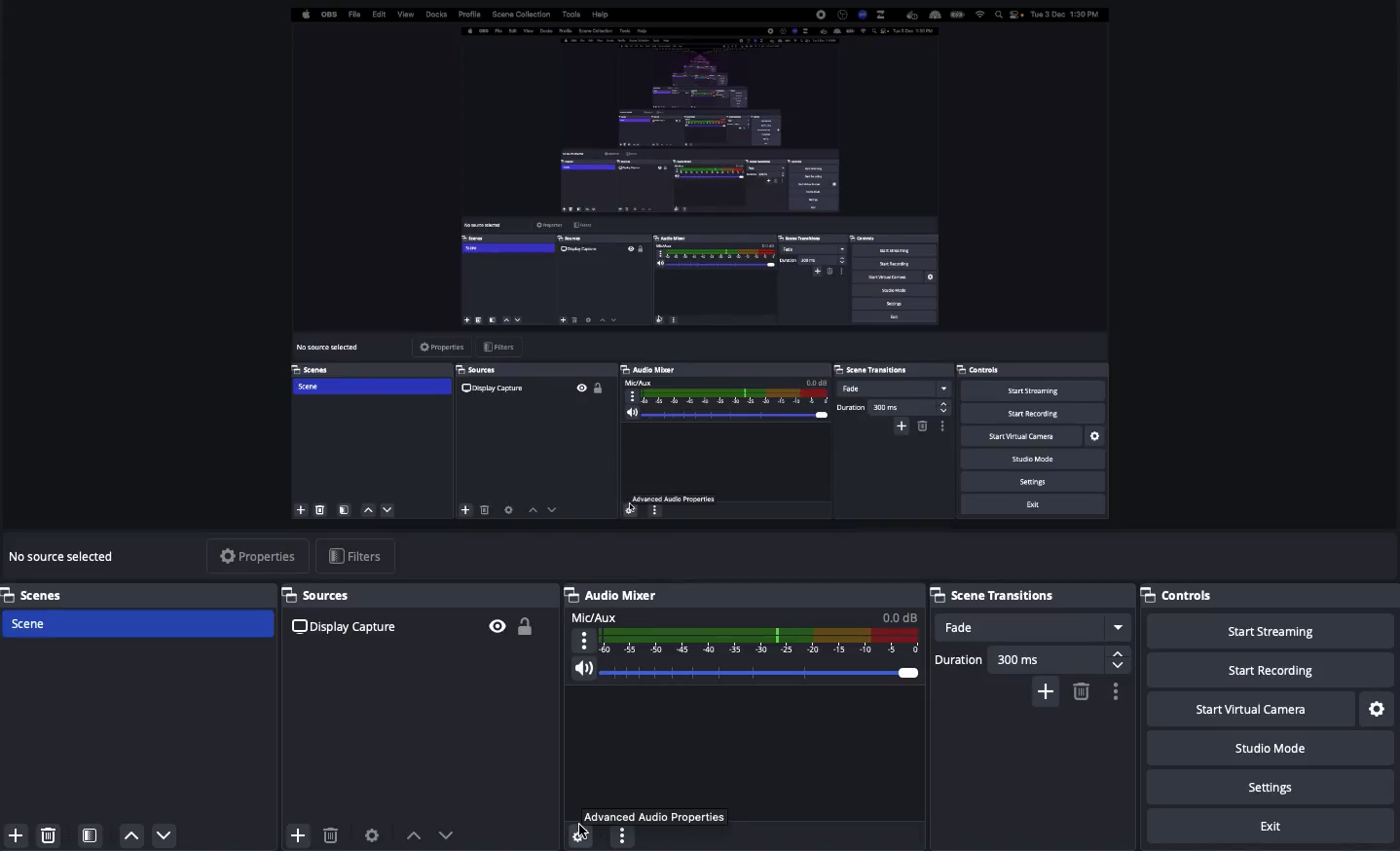 This screenshot has width=1400, height=851. Describe the element at coordinates (90, 832) in the screenshot. I see `Scene filters` at that location.